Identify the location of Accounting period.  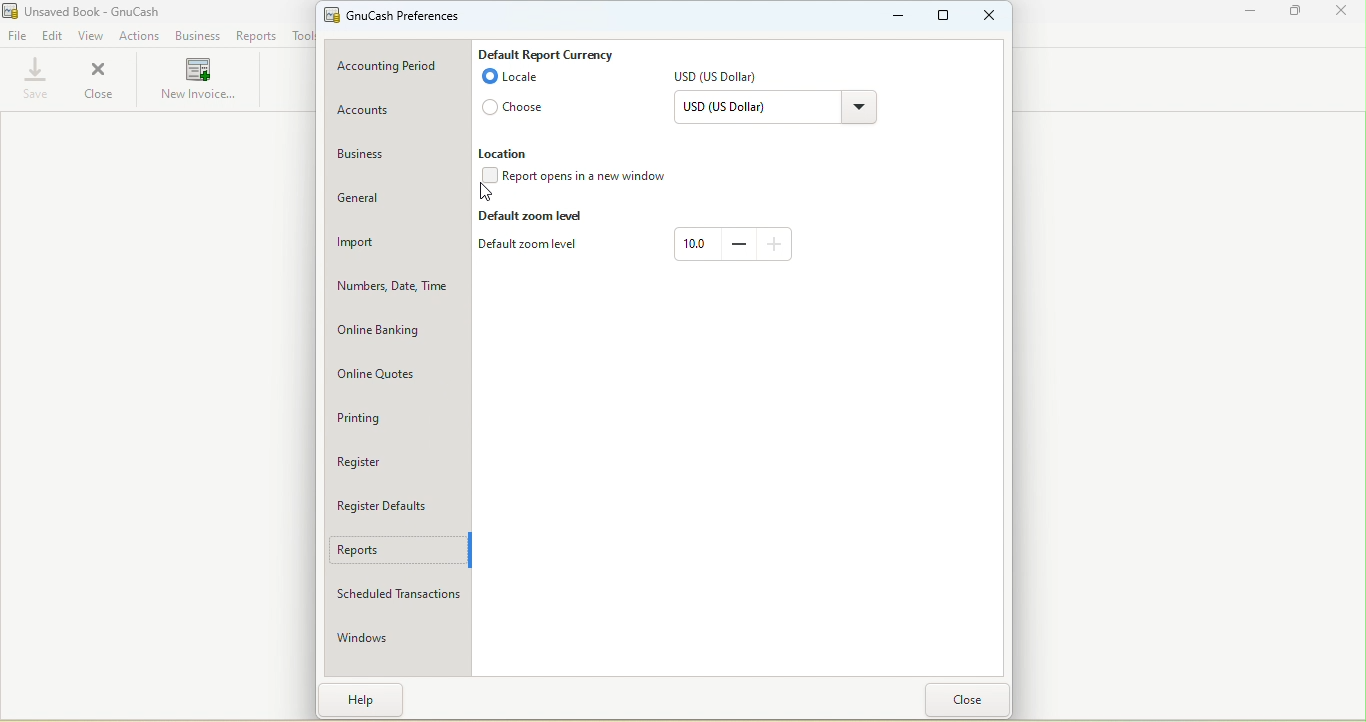
(401, 67).